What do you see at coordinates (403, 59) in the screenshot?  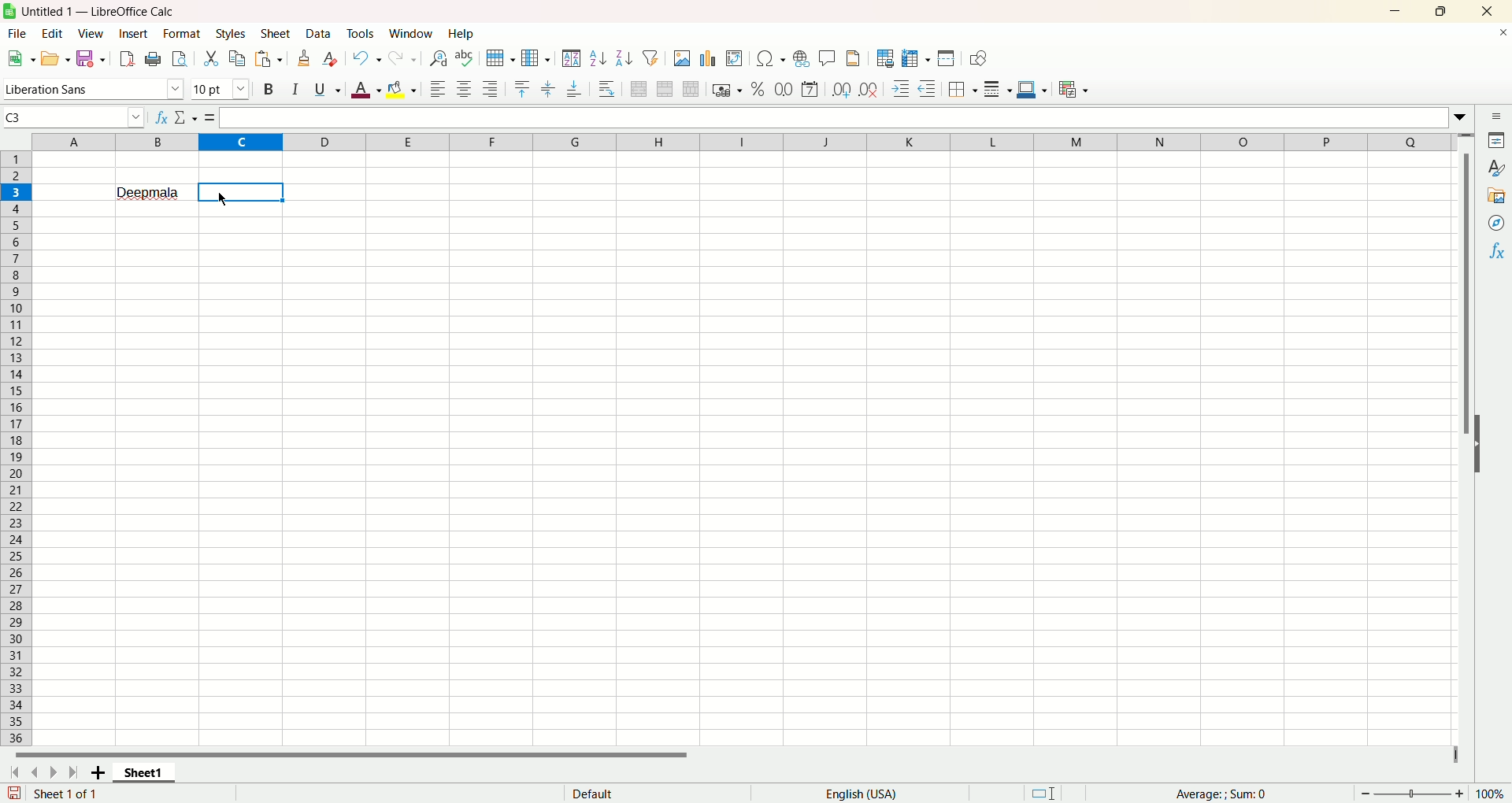 I see `Redo` at bounding box center [403, 59].